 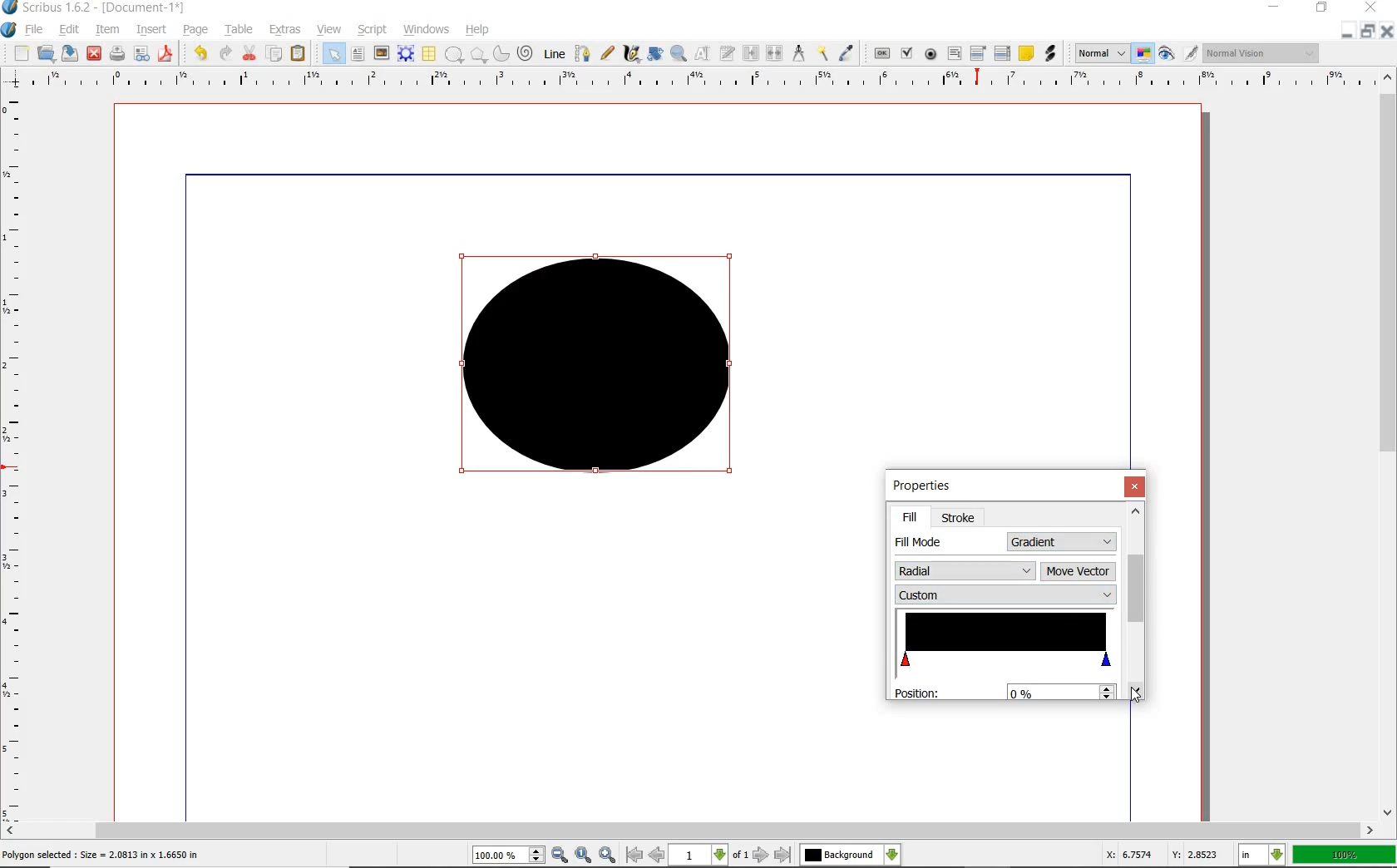 I want to click on LINE, so click(x=555, y=54).